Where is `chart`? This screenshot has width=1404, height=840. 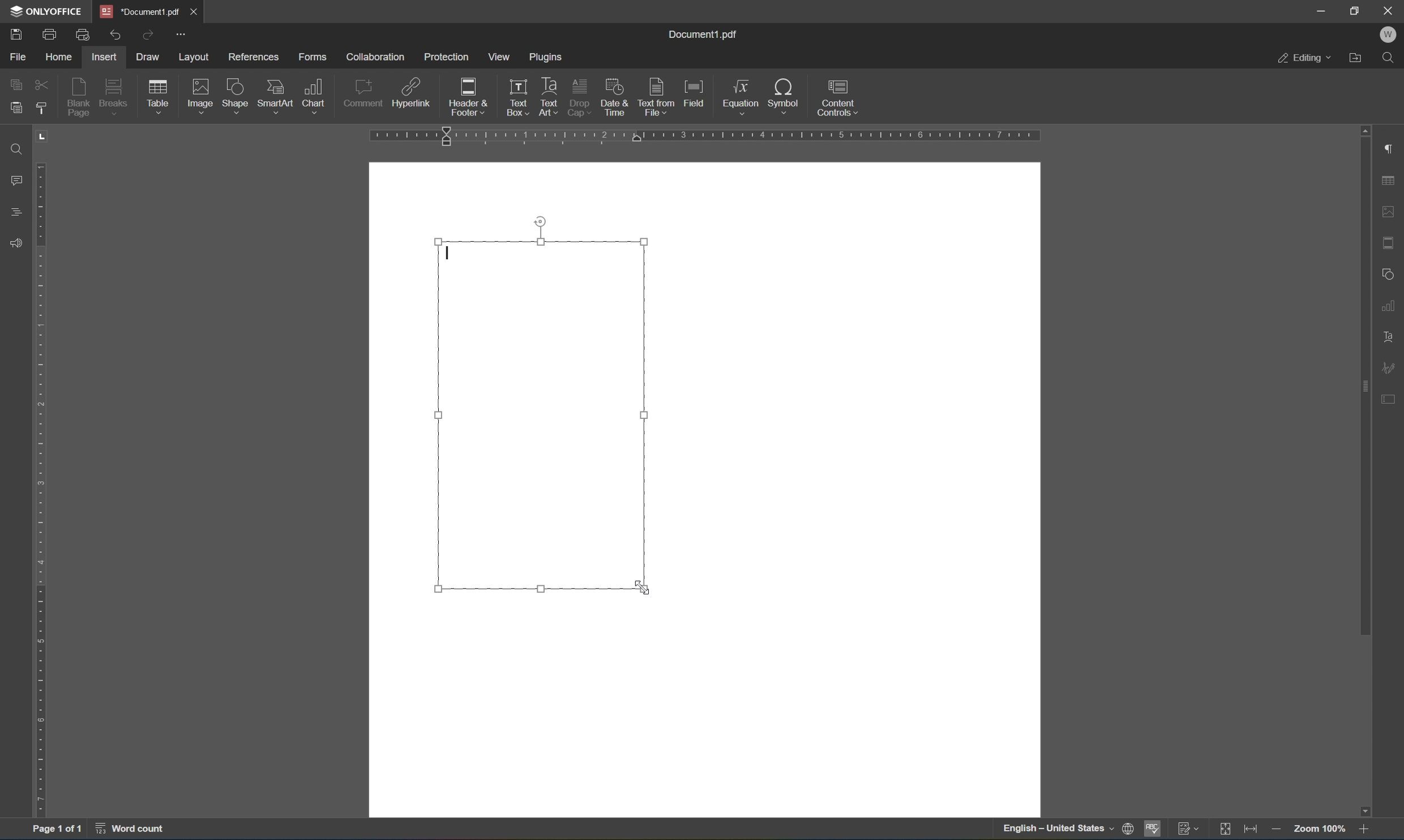 chart is located at coordinates (314, 96).